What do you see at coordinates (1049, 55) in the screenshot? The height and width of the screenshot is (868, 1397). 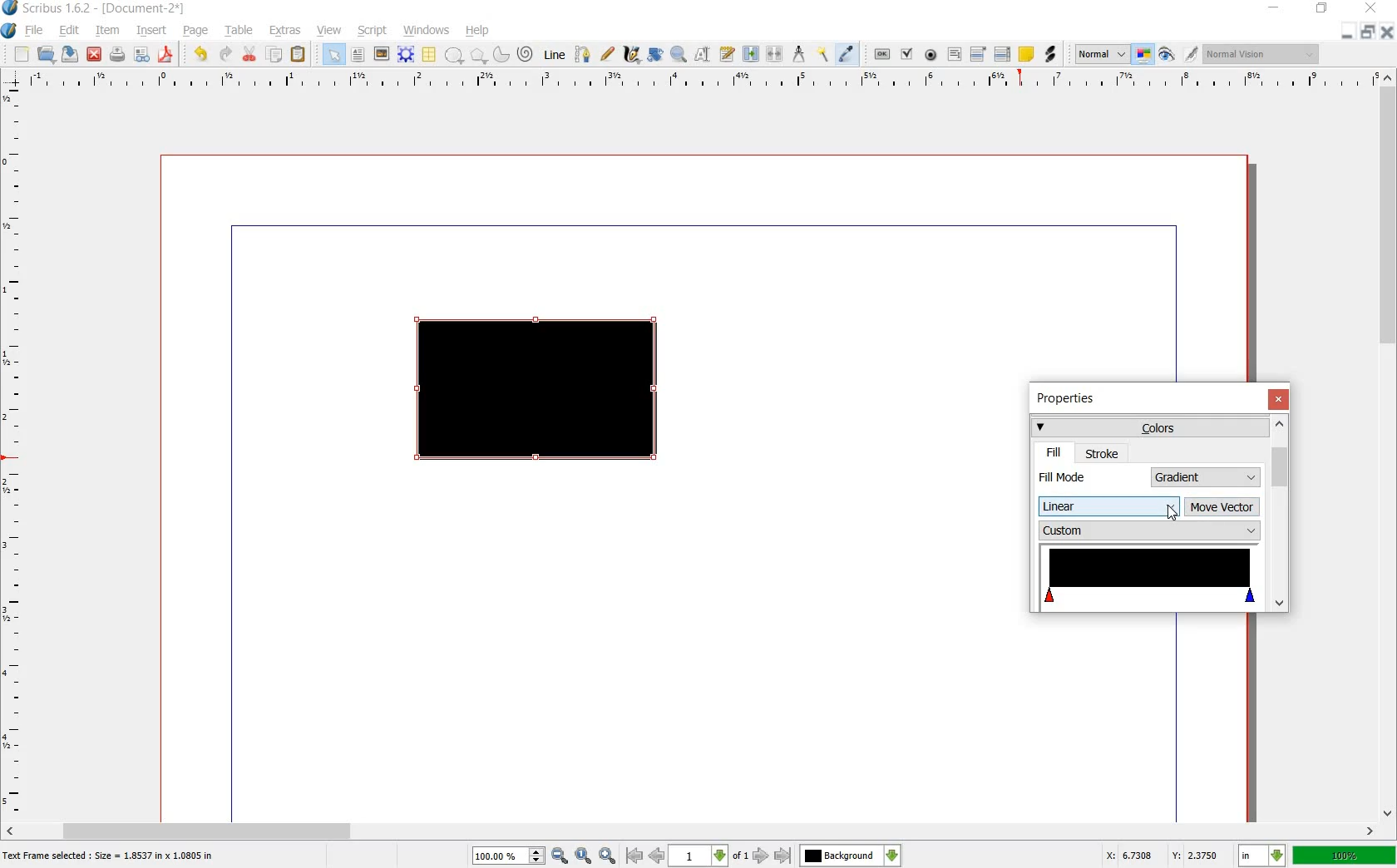 I see `link annotation` at bounding box center [1049, 55].